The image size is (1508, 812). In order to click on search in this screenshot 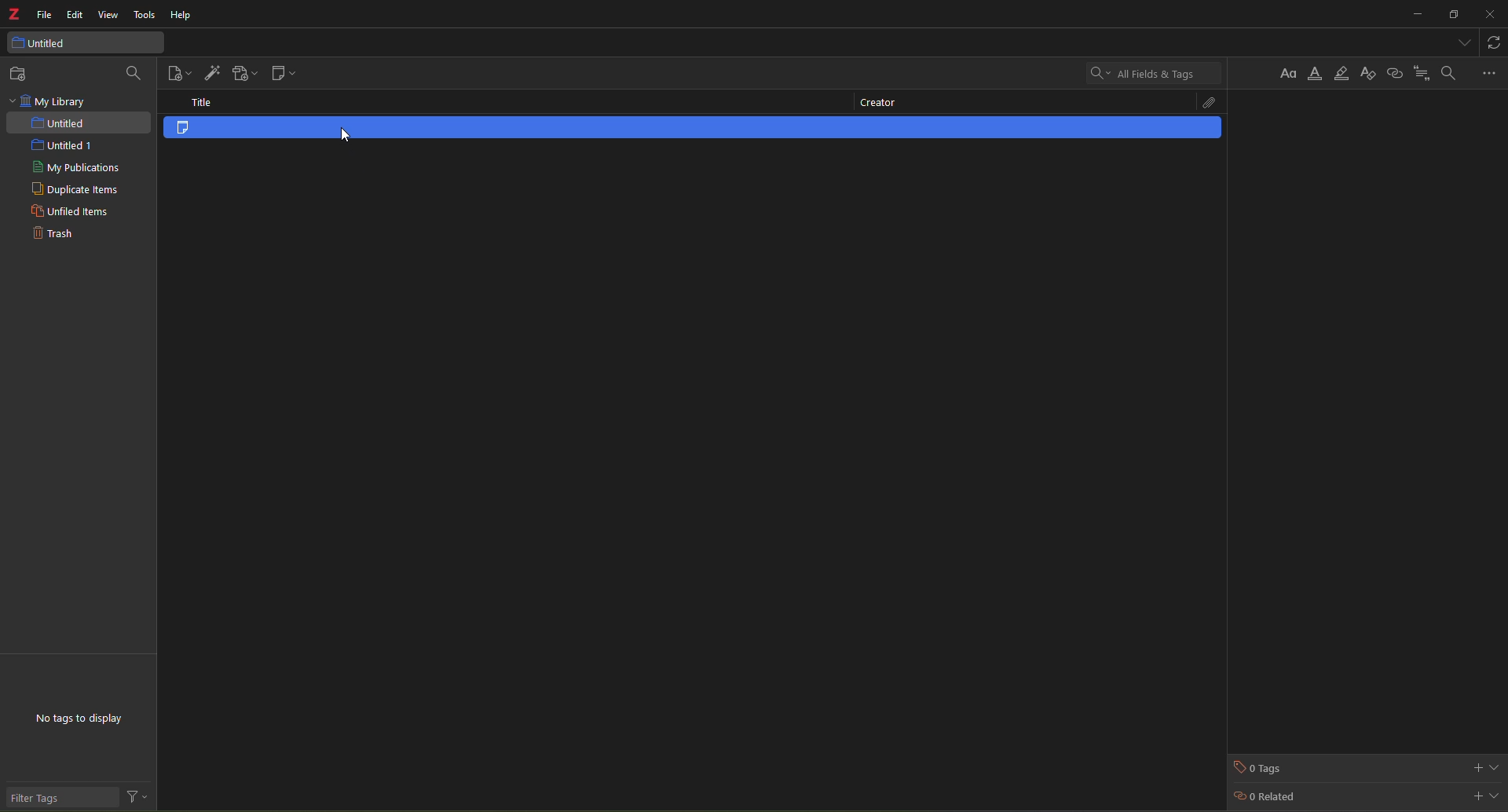, I will do `click(133, 71)`.